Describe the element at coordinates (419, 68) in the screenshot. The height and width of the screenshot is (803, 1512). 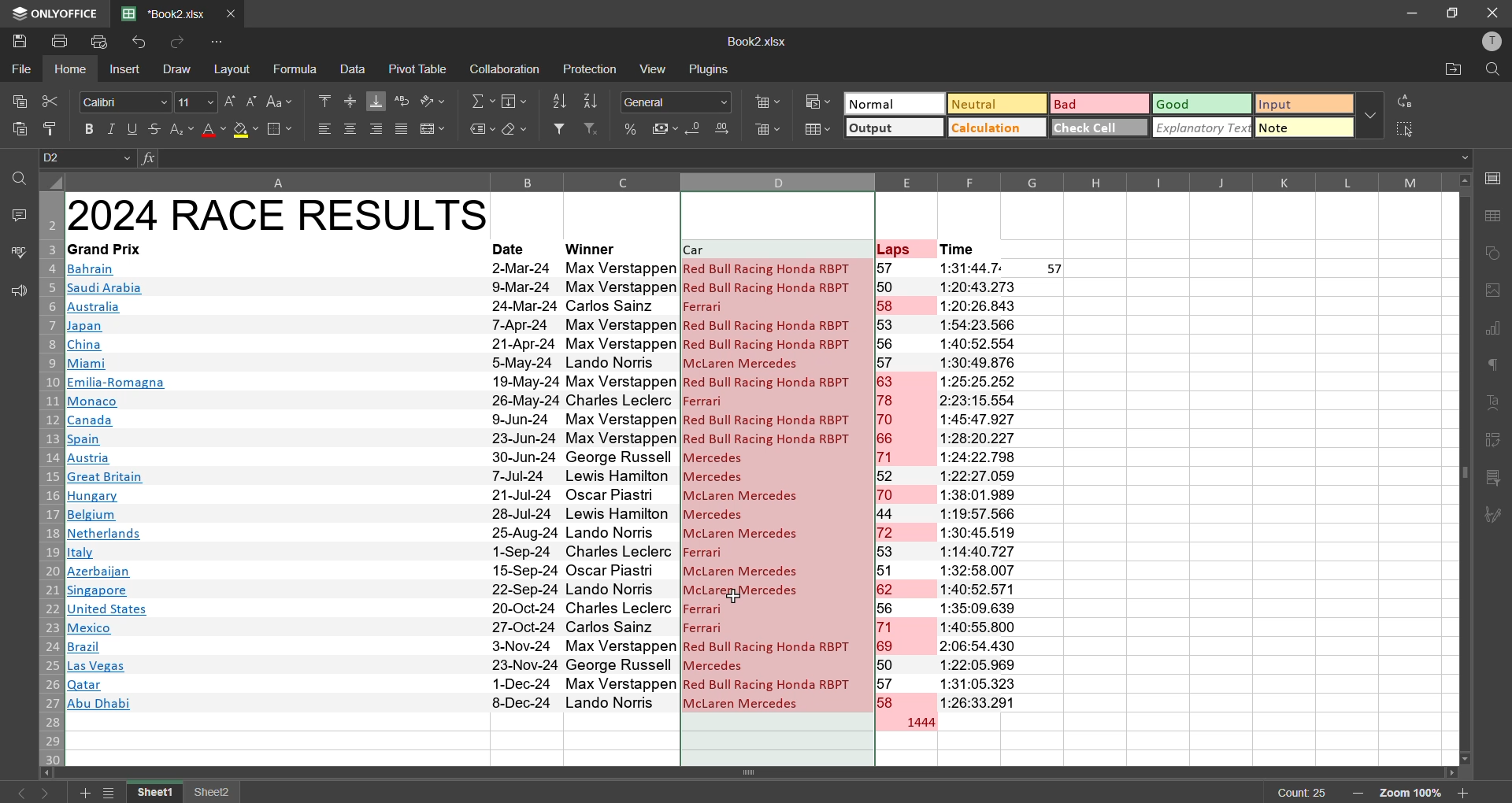
I see `pivot table` at that location.